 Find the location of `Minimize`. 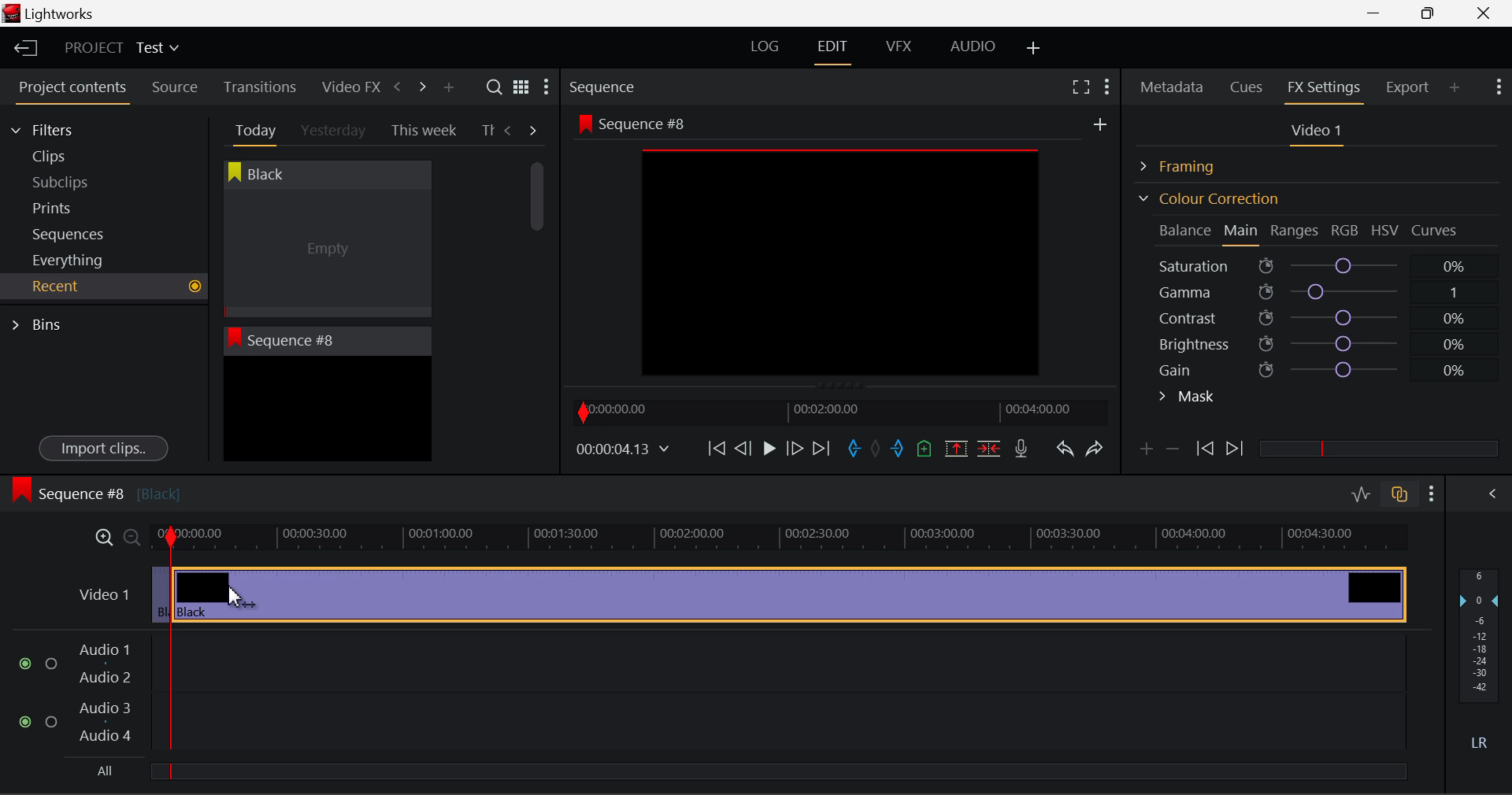

Minimize is located at coordinates (1432, 13).